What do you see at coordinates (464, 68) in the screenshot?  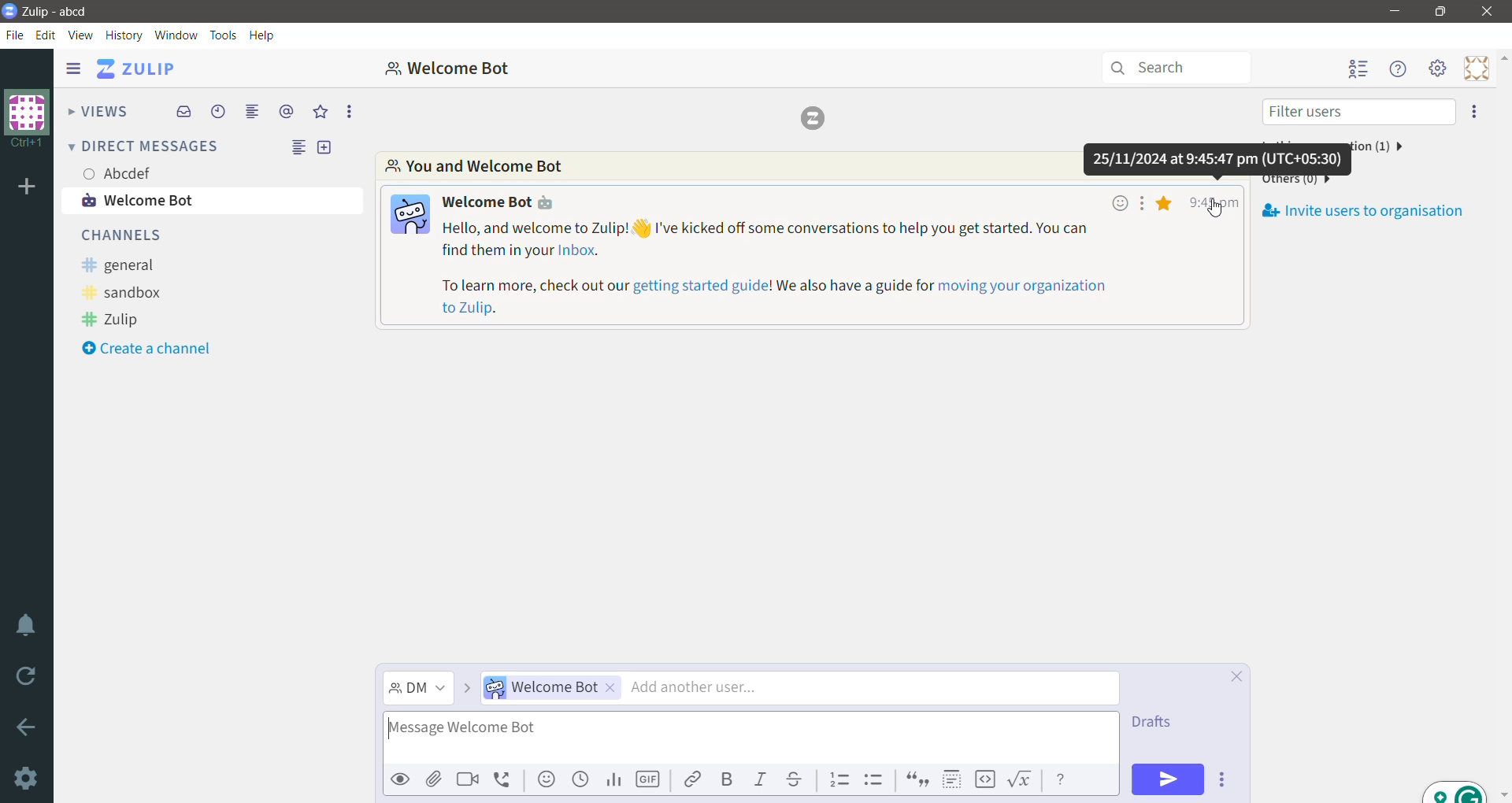 I see `Welcome Bot` at bounding box center [464, 68].